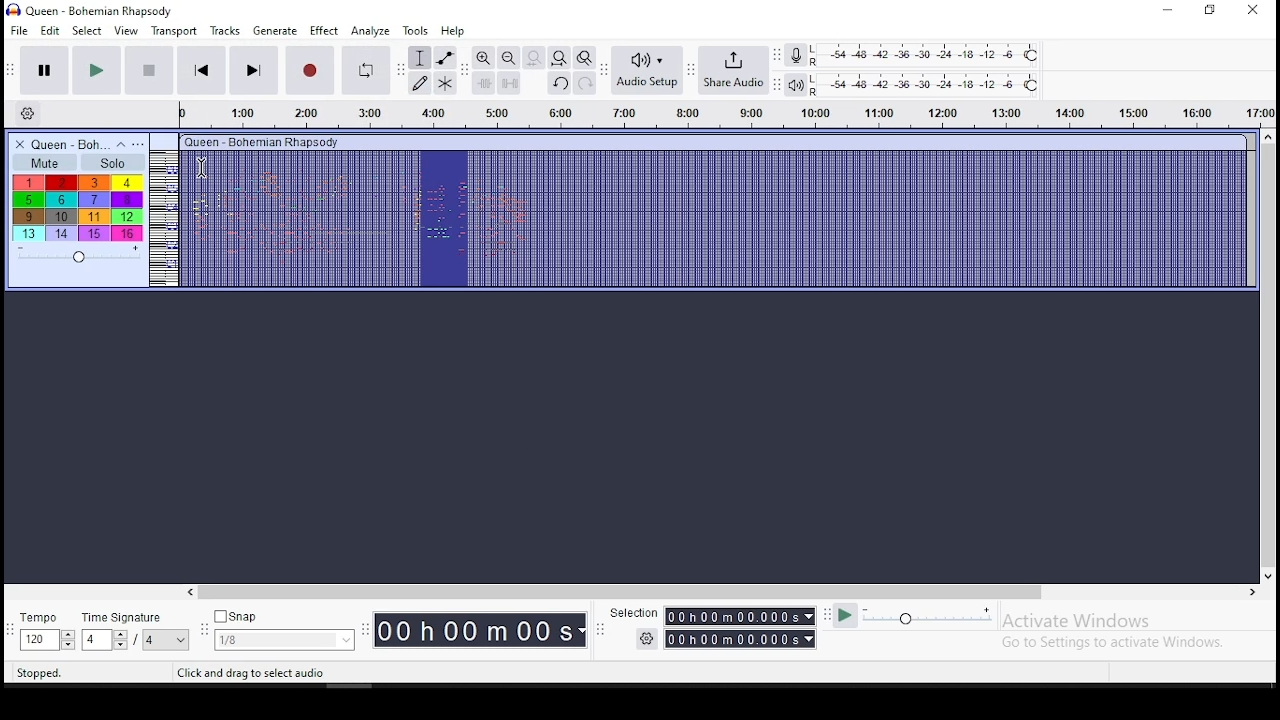  What do you see at coordinates (76, 207) in the screenshot?
I see `numbers` at bounding box center [76, 207].